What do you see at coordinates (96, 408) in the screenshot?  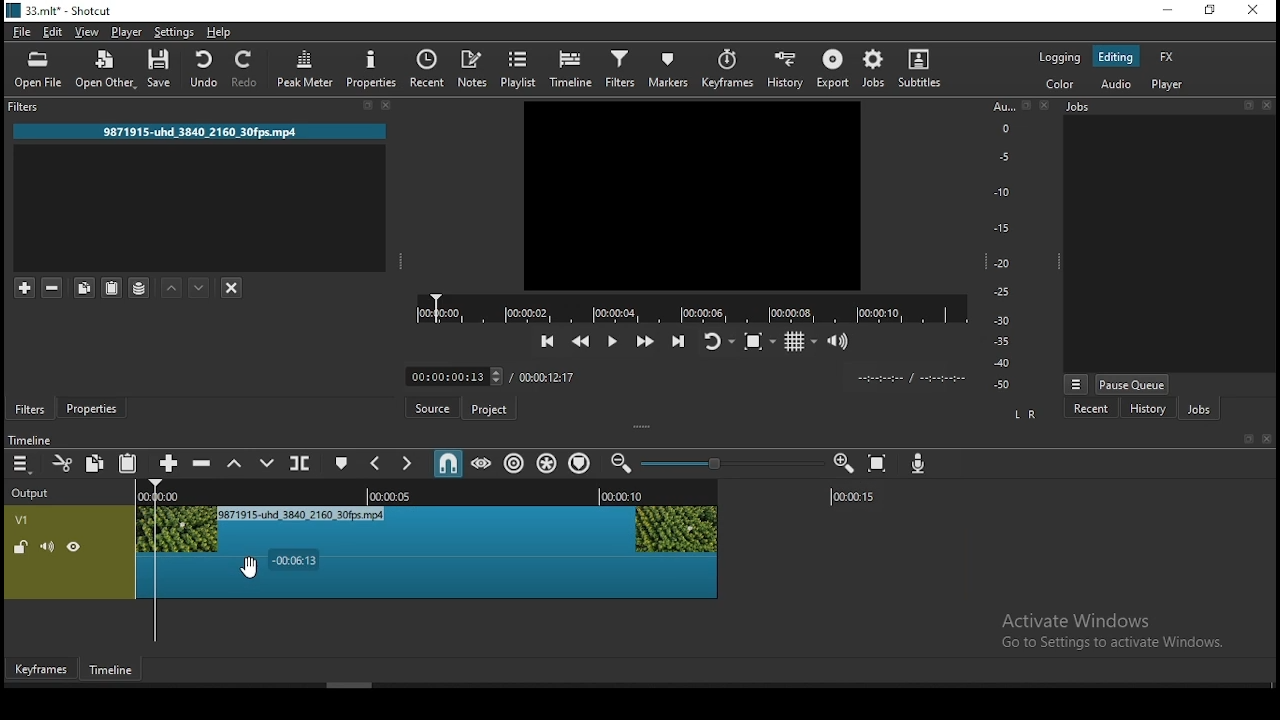 I see `properties` at bounding box center [96, 408].